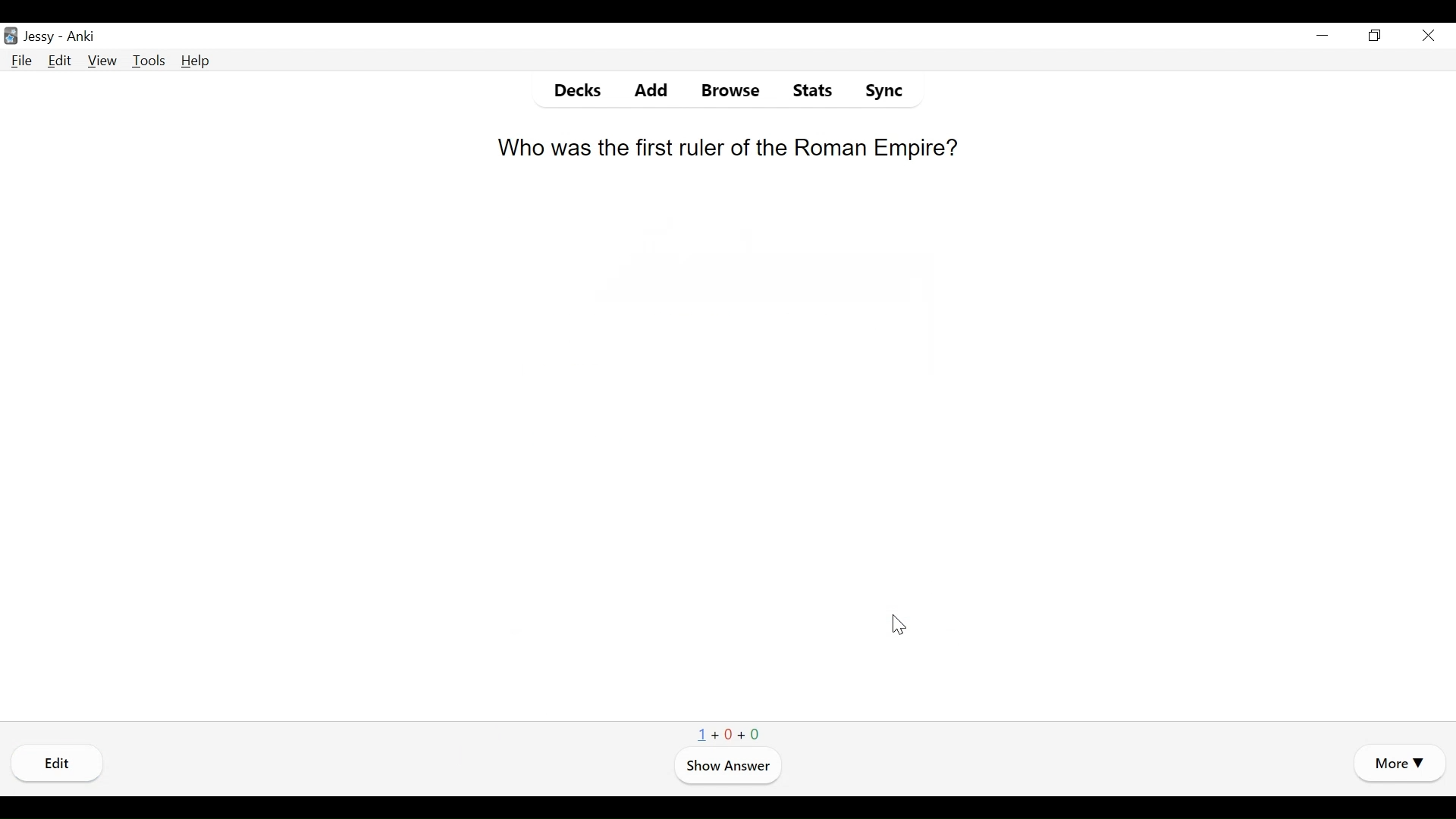  What do you see at coordinates (726, 148) in the screenshot?
I see `Who was the first ruler of the Roman Empire?` at bounding box center [726, 148].